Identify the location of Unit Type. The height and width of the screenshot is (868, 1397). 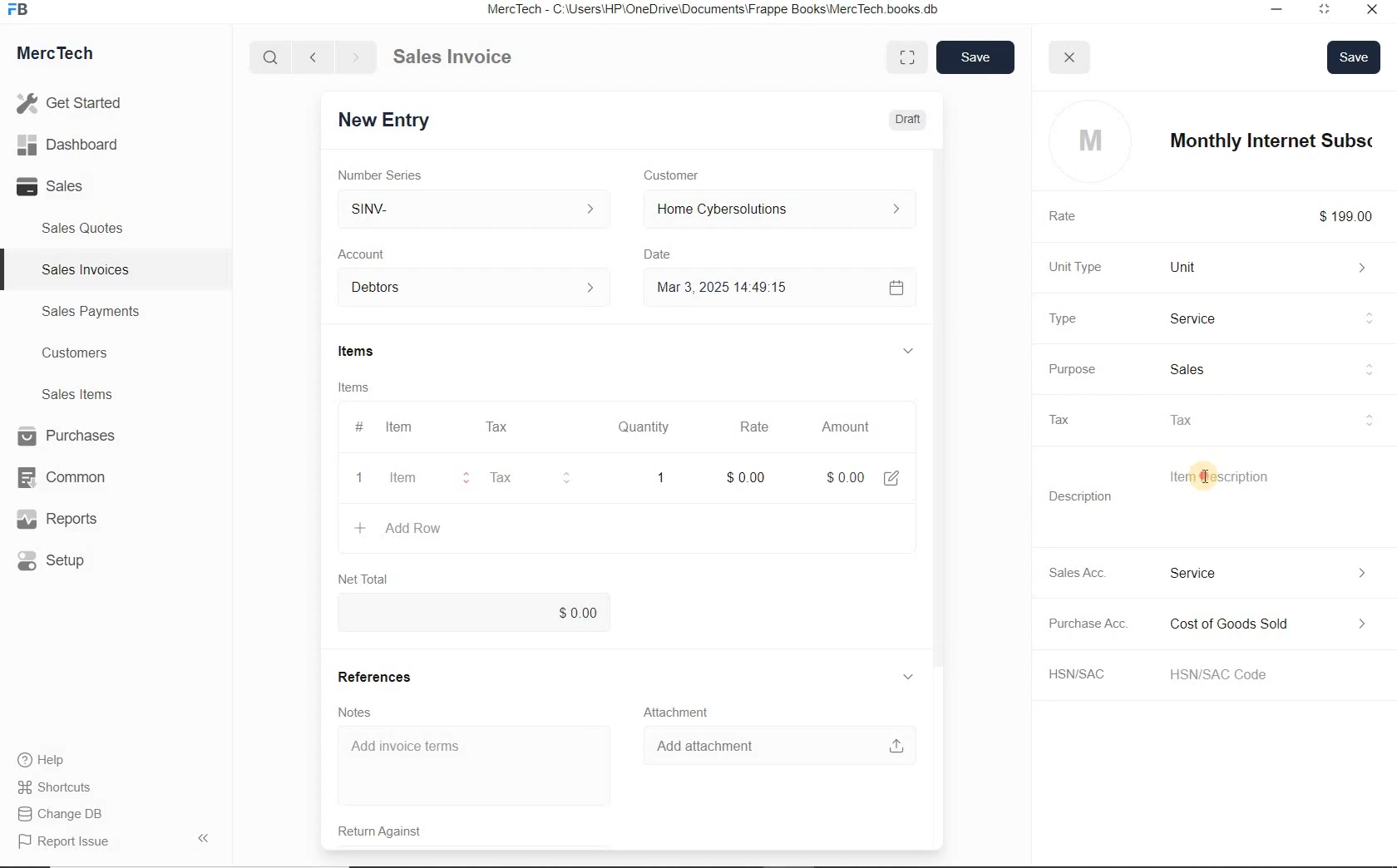
(1071, 267).